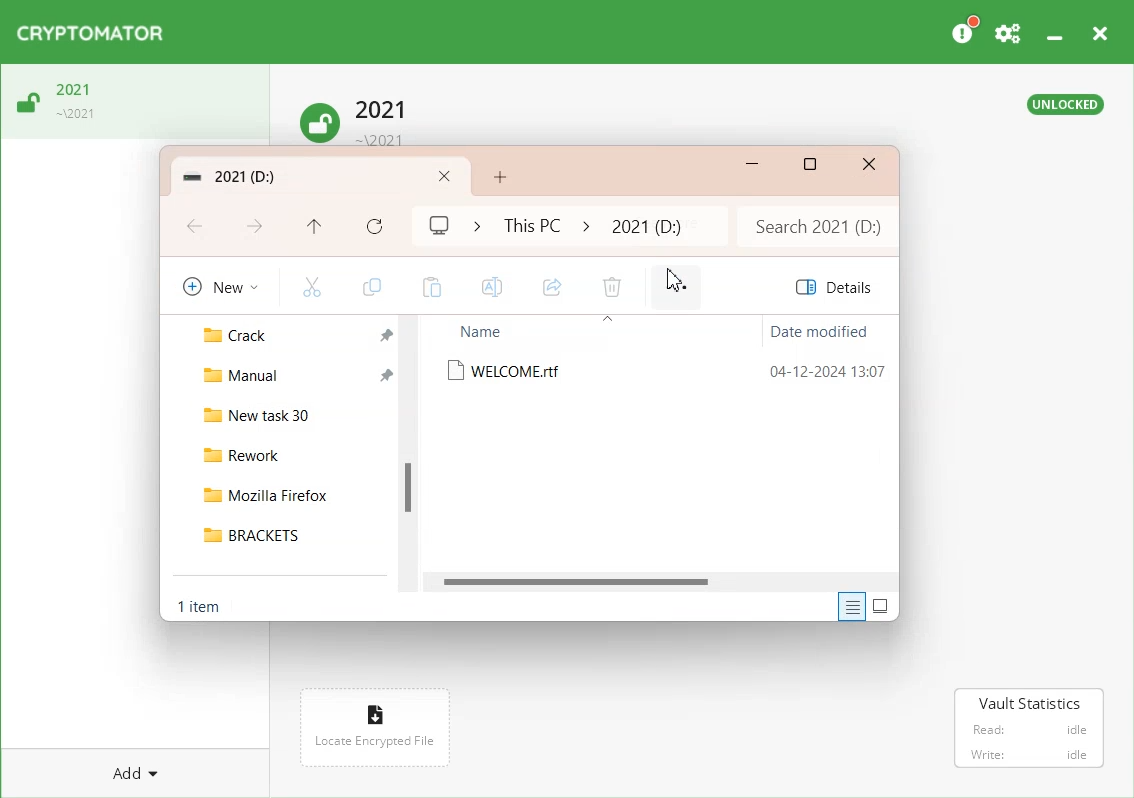 This screenshot has width=1134, height=798. Describe the element at coordinates (840, 287) in the screenshot. I see `Details` at that location.